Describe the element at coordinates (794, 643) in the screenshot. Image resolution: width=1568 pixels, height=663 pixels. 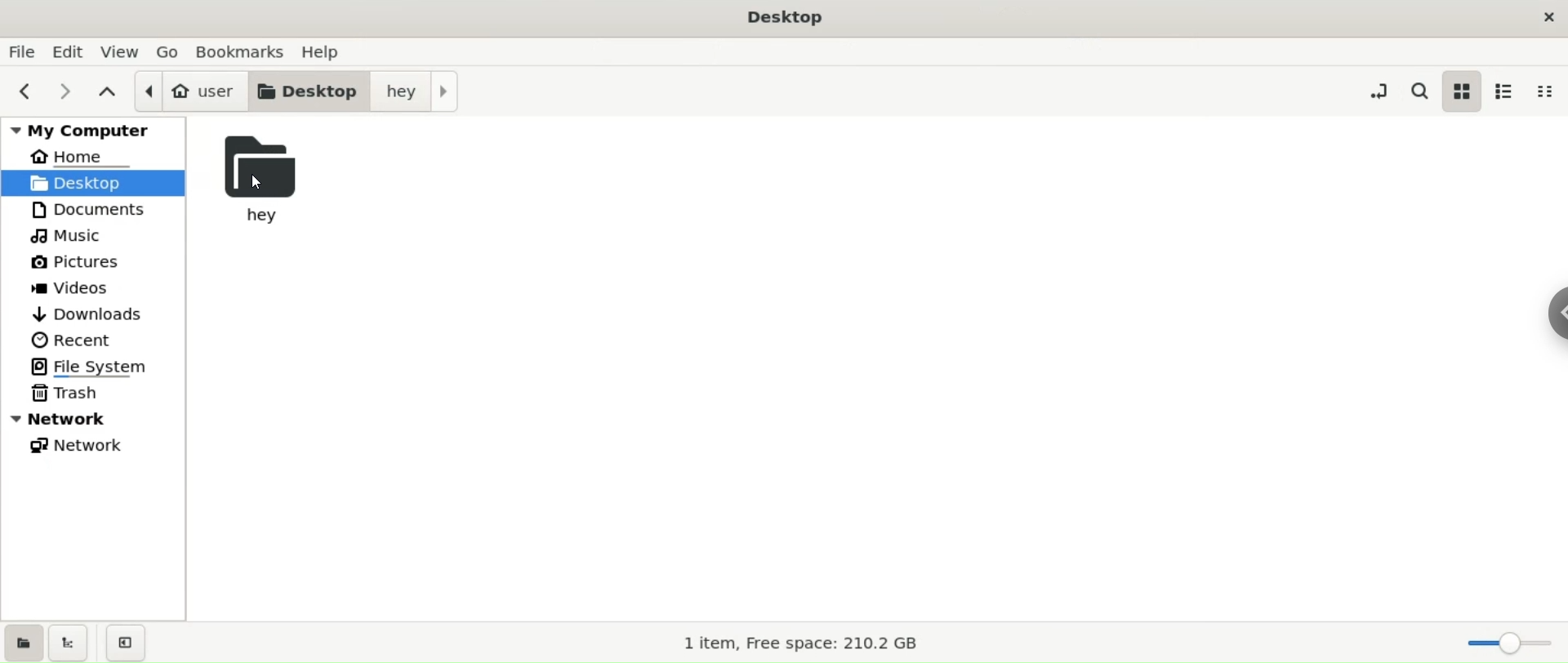
I see `storage` at that location.